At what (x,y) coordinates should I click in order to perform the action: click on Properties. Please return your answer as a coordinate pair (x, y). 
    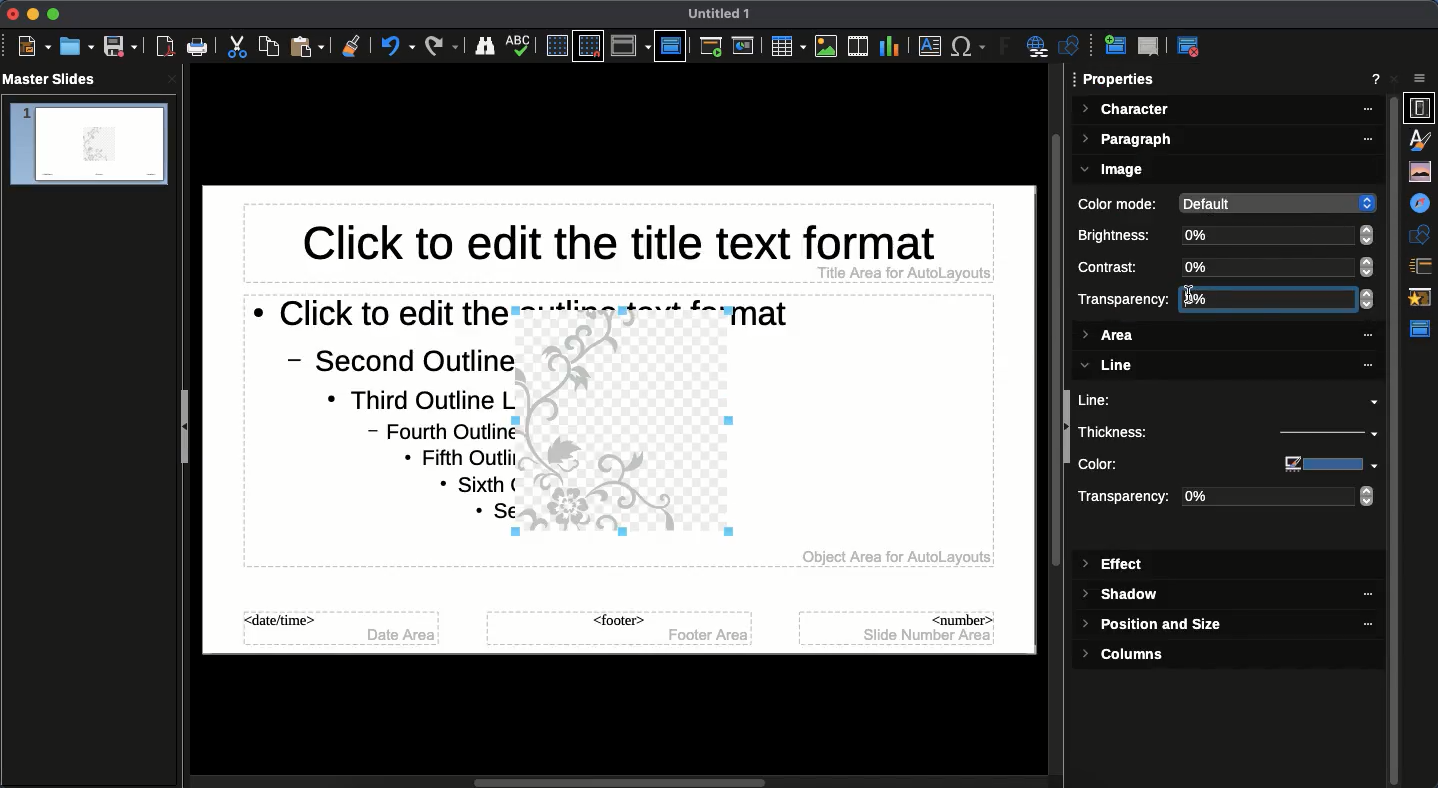
    Looking at the image, I should click on (1120, 80).